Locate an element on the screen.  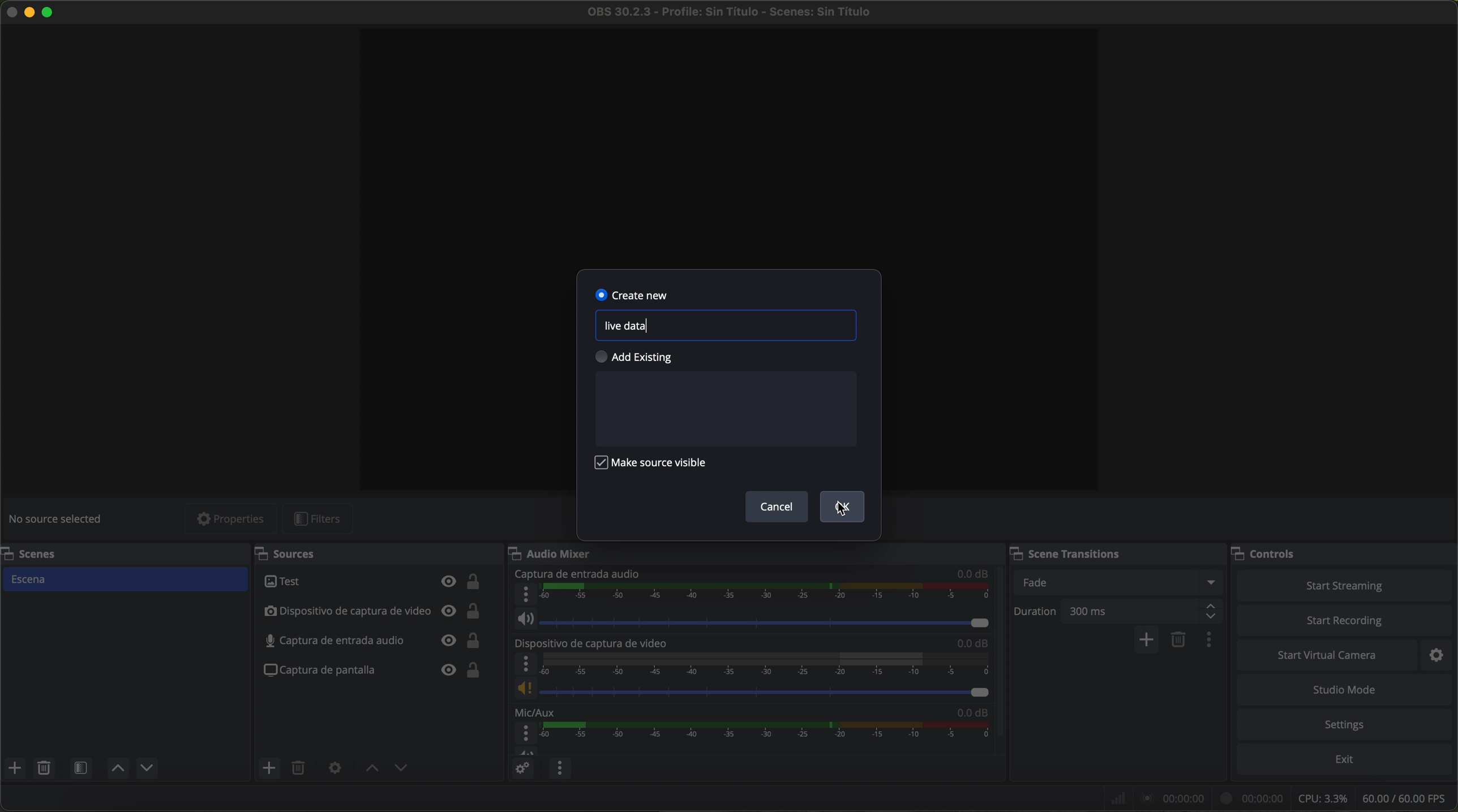
move sources up is located at coordinates (369, 768).